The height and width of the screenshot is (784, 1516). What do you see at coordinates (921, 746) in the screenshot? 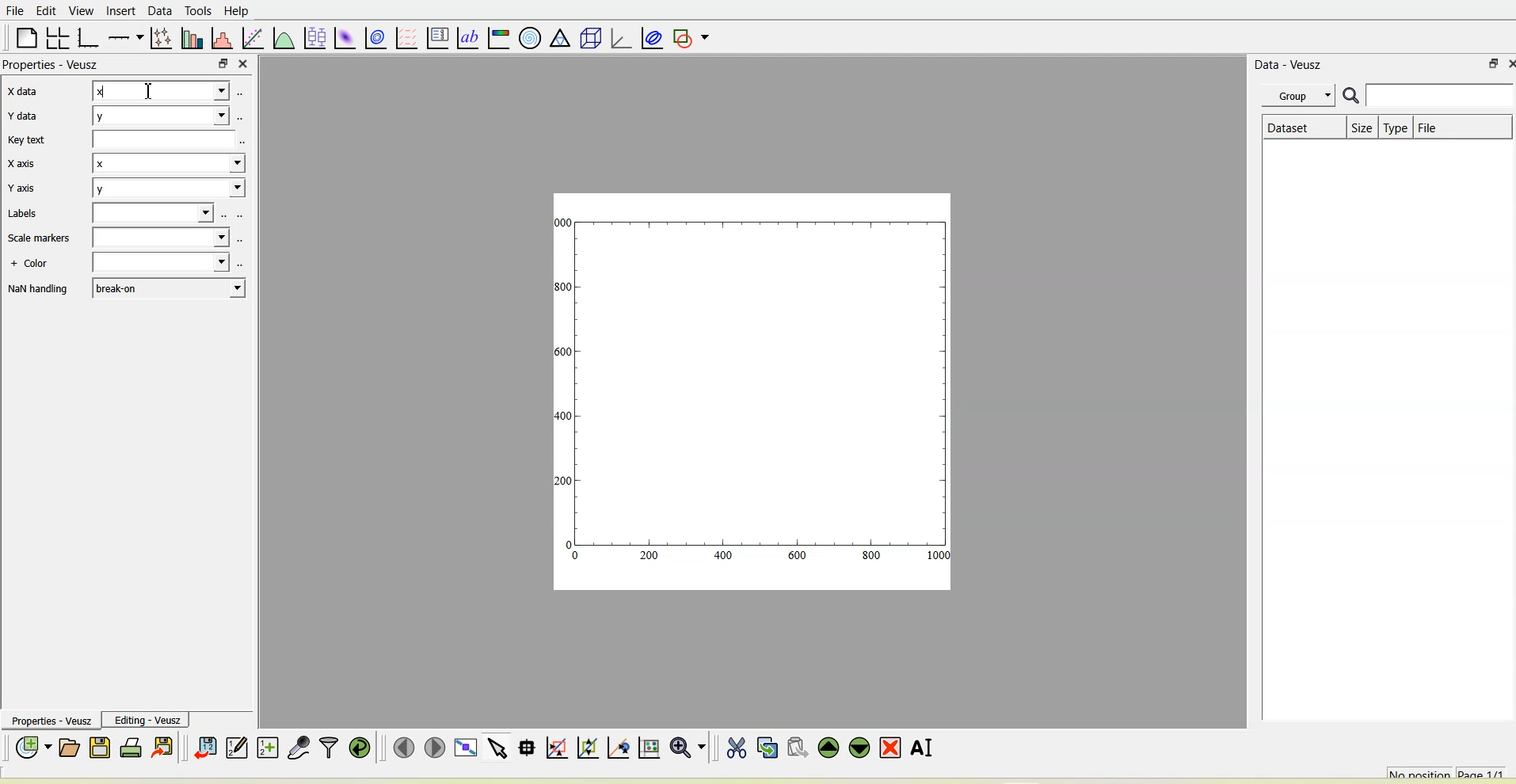
I see `Renames the selected widget` at bounding box center [921, 746].